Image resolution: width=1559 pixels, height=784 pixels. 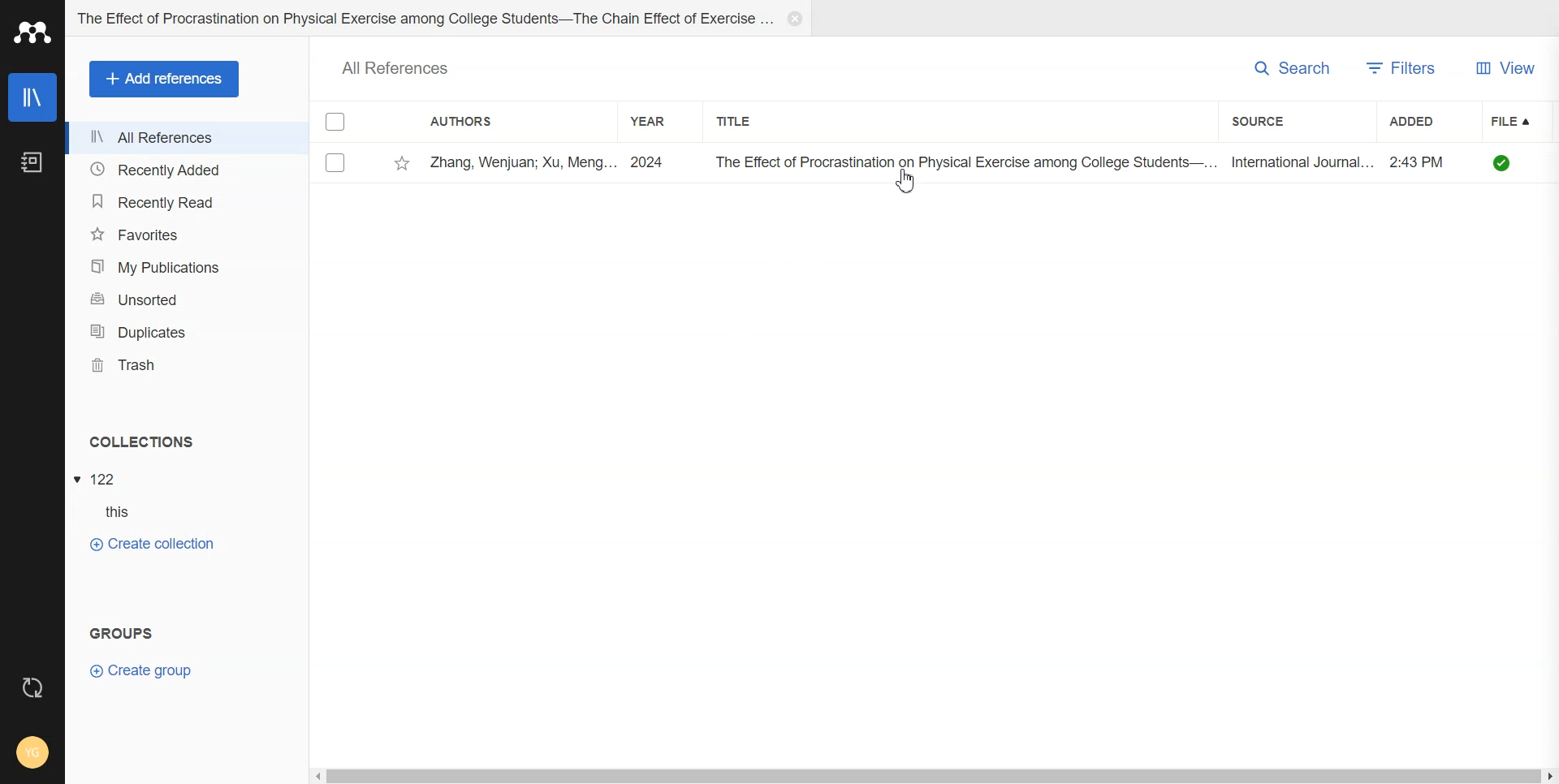 What do you see at coordinates (402, 164) in the screenshot?
I see `mark star` at bounding box center [402, 164].